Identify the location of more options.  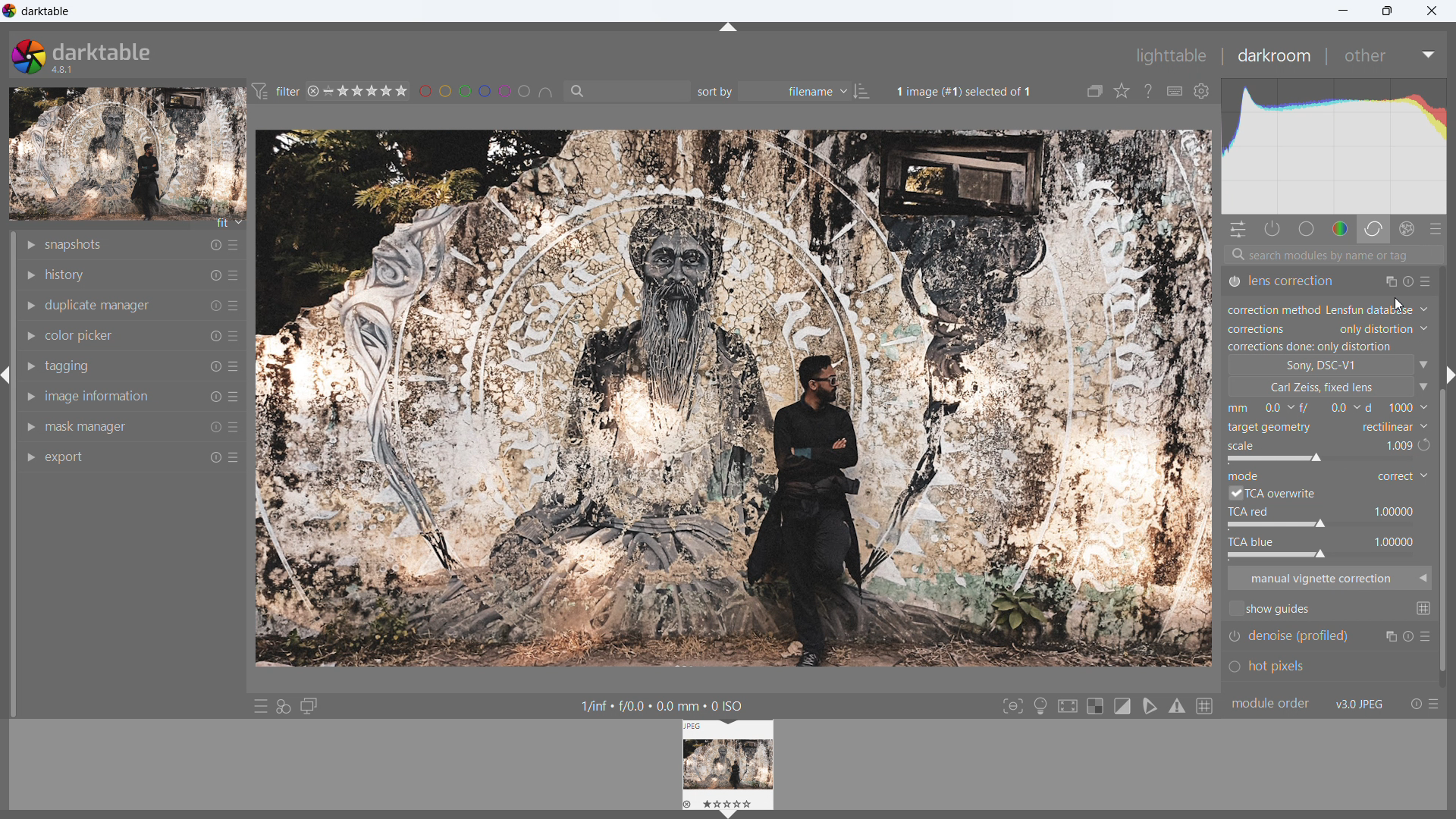
(237, 400).